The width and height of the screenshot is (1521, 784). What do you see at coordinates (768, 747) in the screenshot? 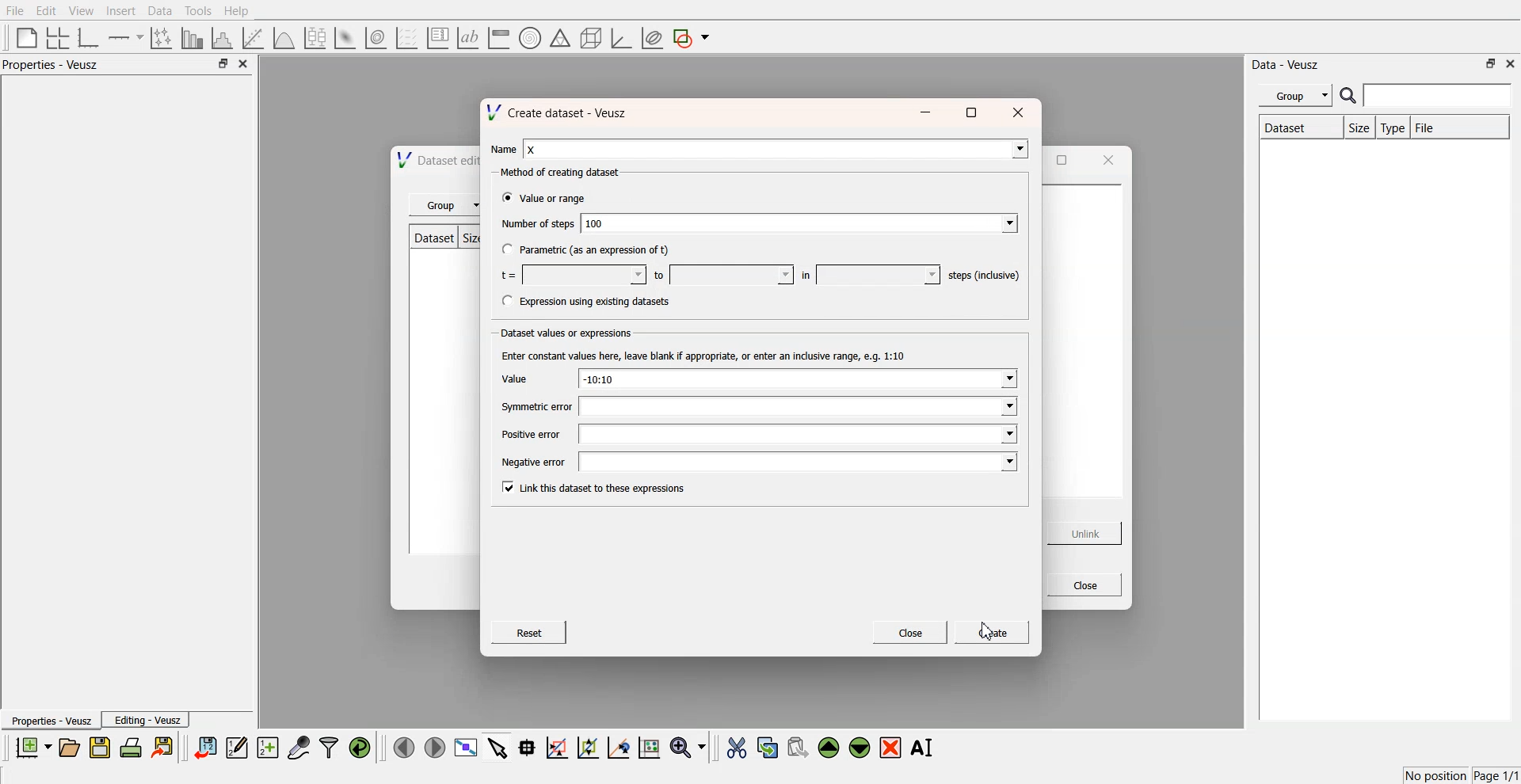
I see `copy the selected widgets` at bounding box center [768, 747].